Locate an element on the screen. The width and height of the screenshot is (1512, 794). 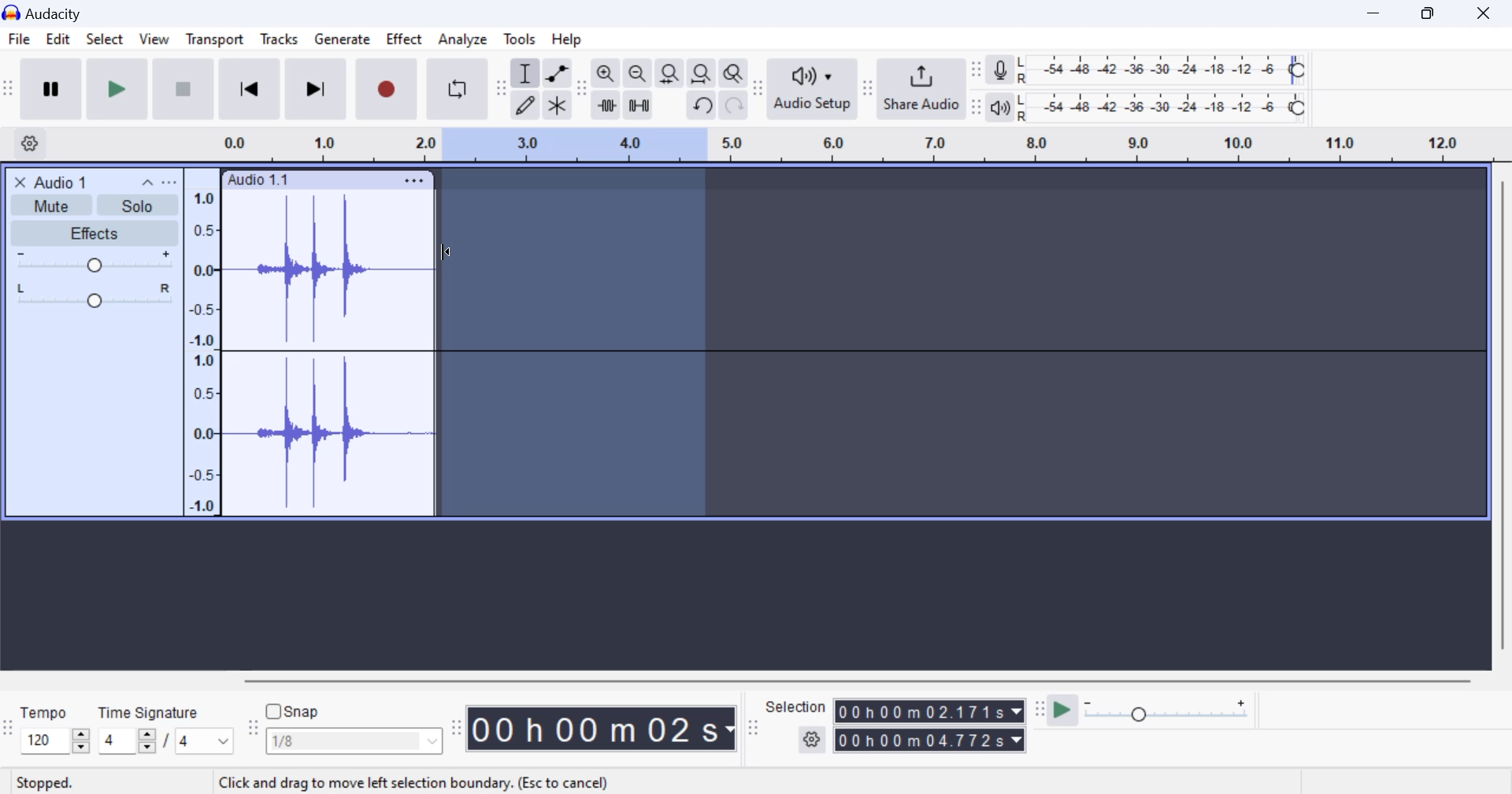
Audio Setup is located at coordinates (811, 88).